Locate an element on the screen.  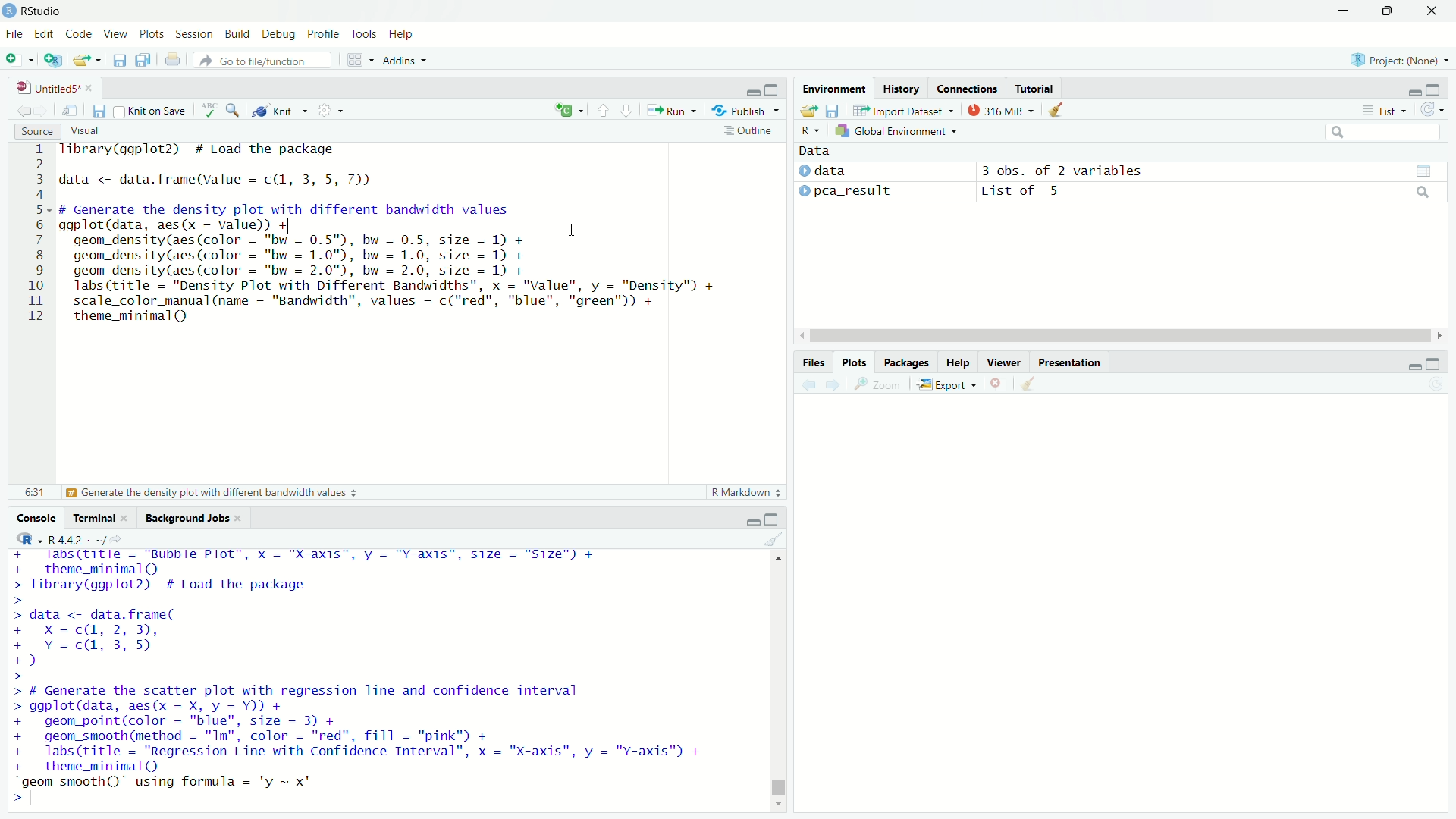
data is located at coordinates (830, 170).